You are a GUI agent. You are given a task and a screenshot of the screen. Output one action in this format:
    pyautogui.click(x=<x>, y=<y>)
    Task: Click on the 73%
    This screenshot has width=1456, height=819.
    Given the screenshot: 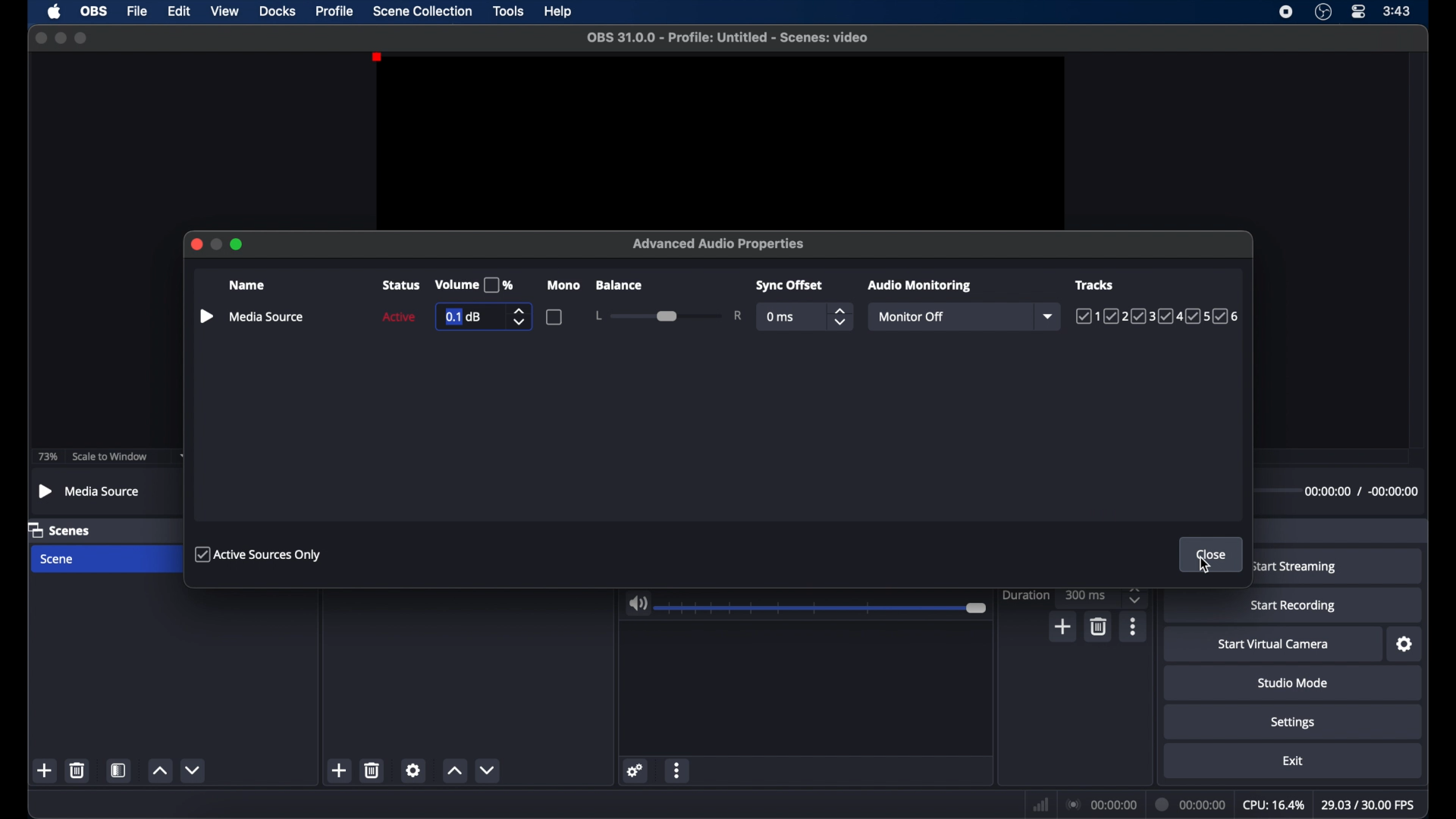 What is the action you would take?
    pyautogui.click(x=46, y=457)
    